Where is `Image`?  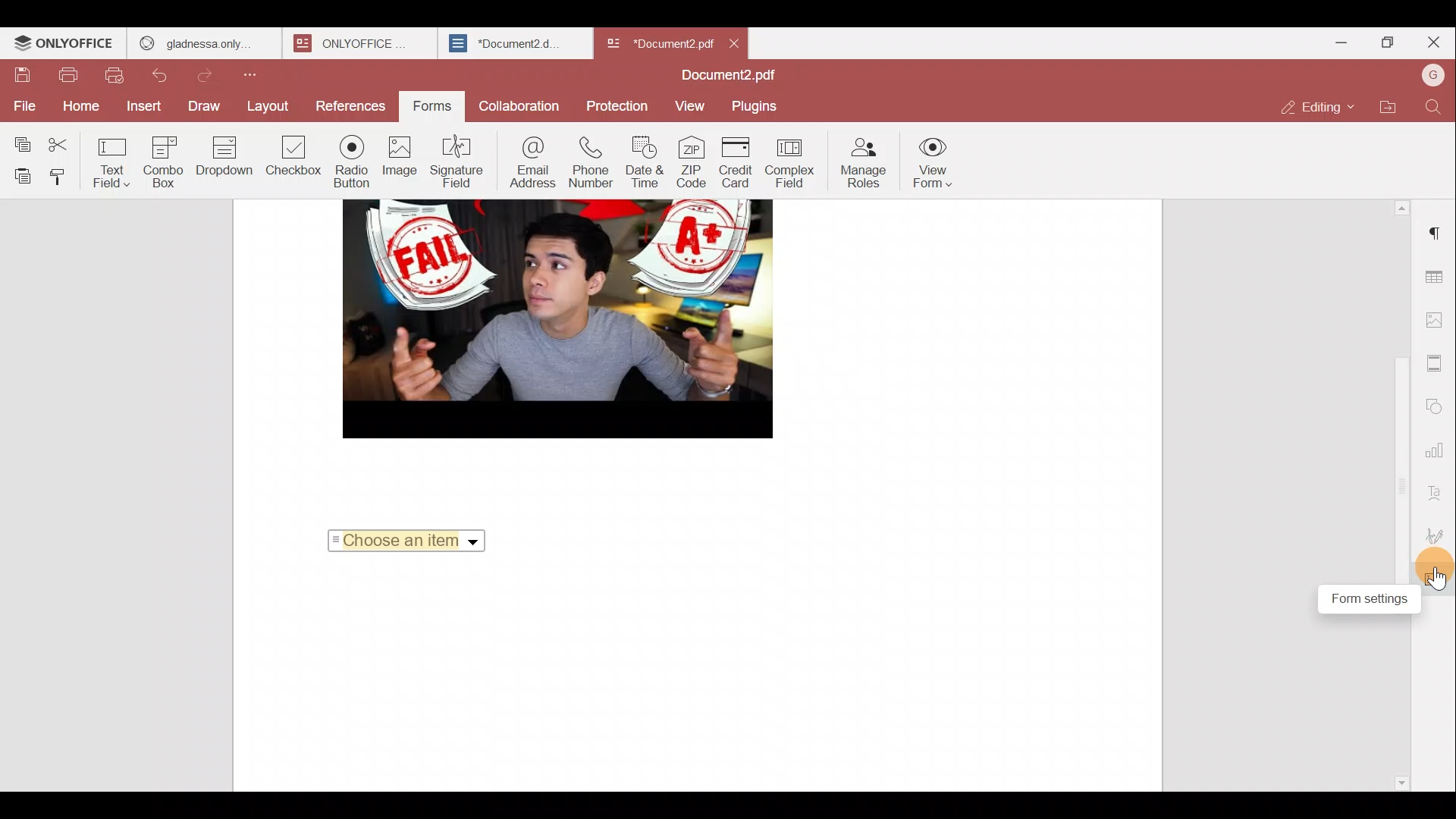
Image is located at coordinates (400, 159).